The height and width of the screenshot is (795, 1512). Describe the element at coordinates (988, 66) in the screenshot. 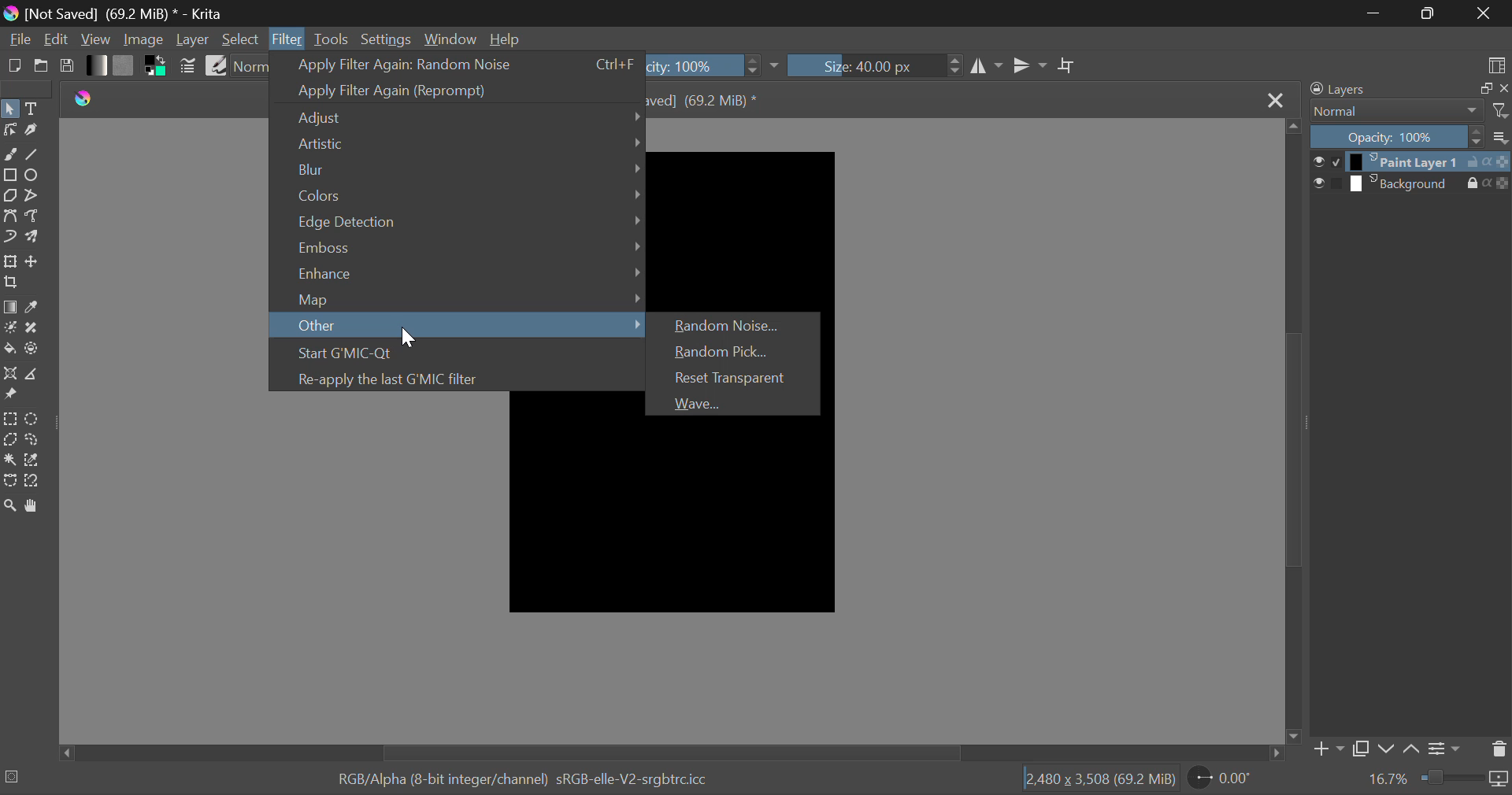

I see `Vertical Mirror Flip` at that location.